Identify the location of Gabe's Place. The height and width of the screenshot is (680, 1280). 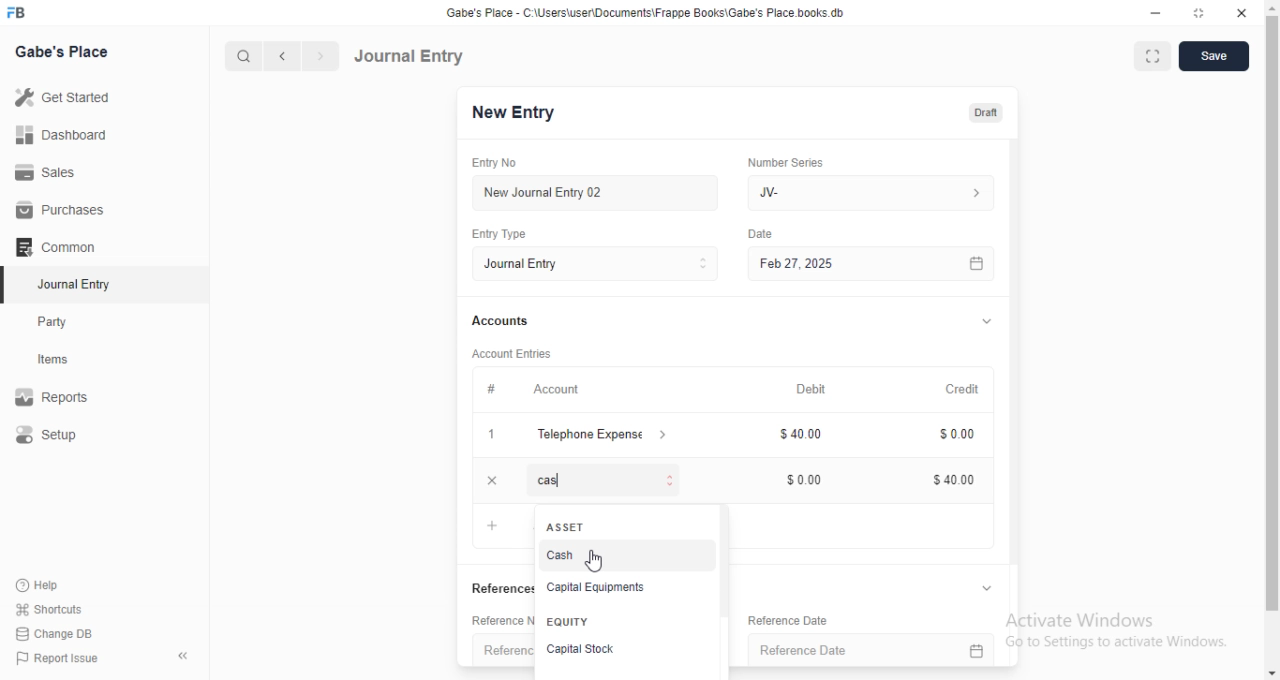
(63, 51).